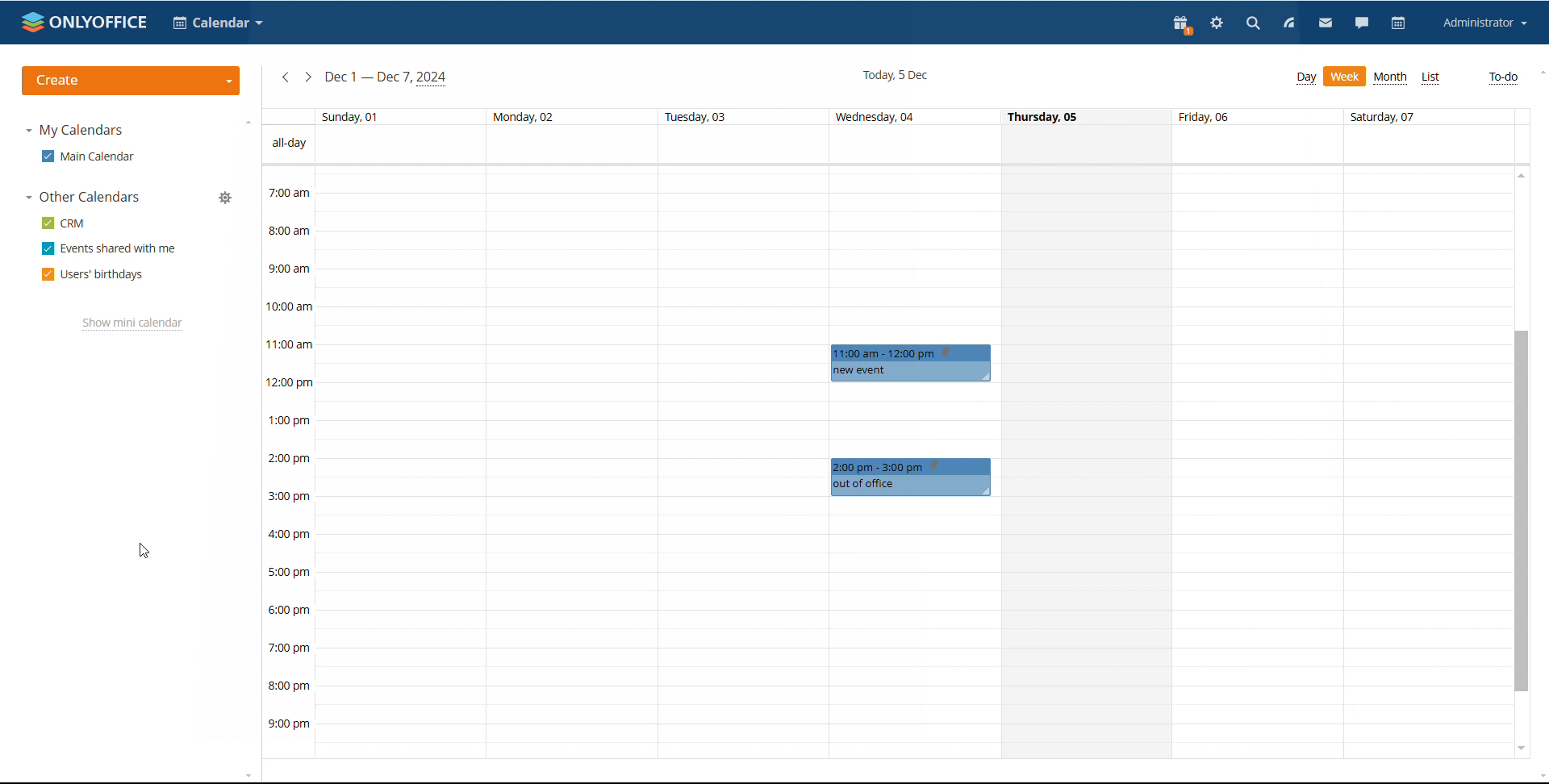  What do you see at coordinates (1519, 177) in the screenshot?
I see `scroll up` at bounding box center [1519, 177].